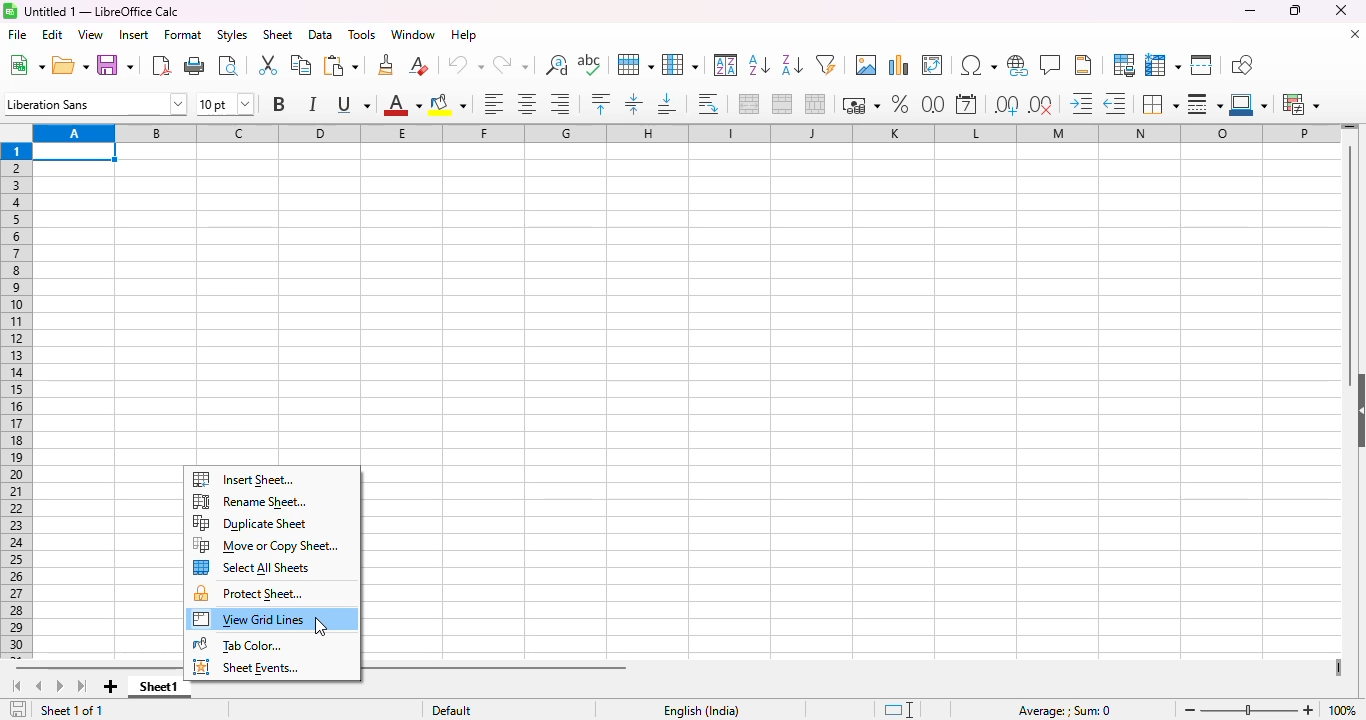 This screenshot has height=720, width=1366. Describe the element at coordinates (1083, 65) in the screenshot. I see `headers and footers` at that location.